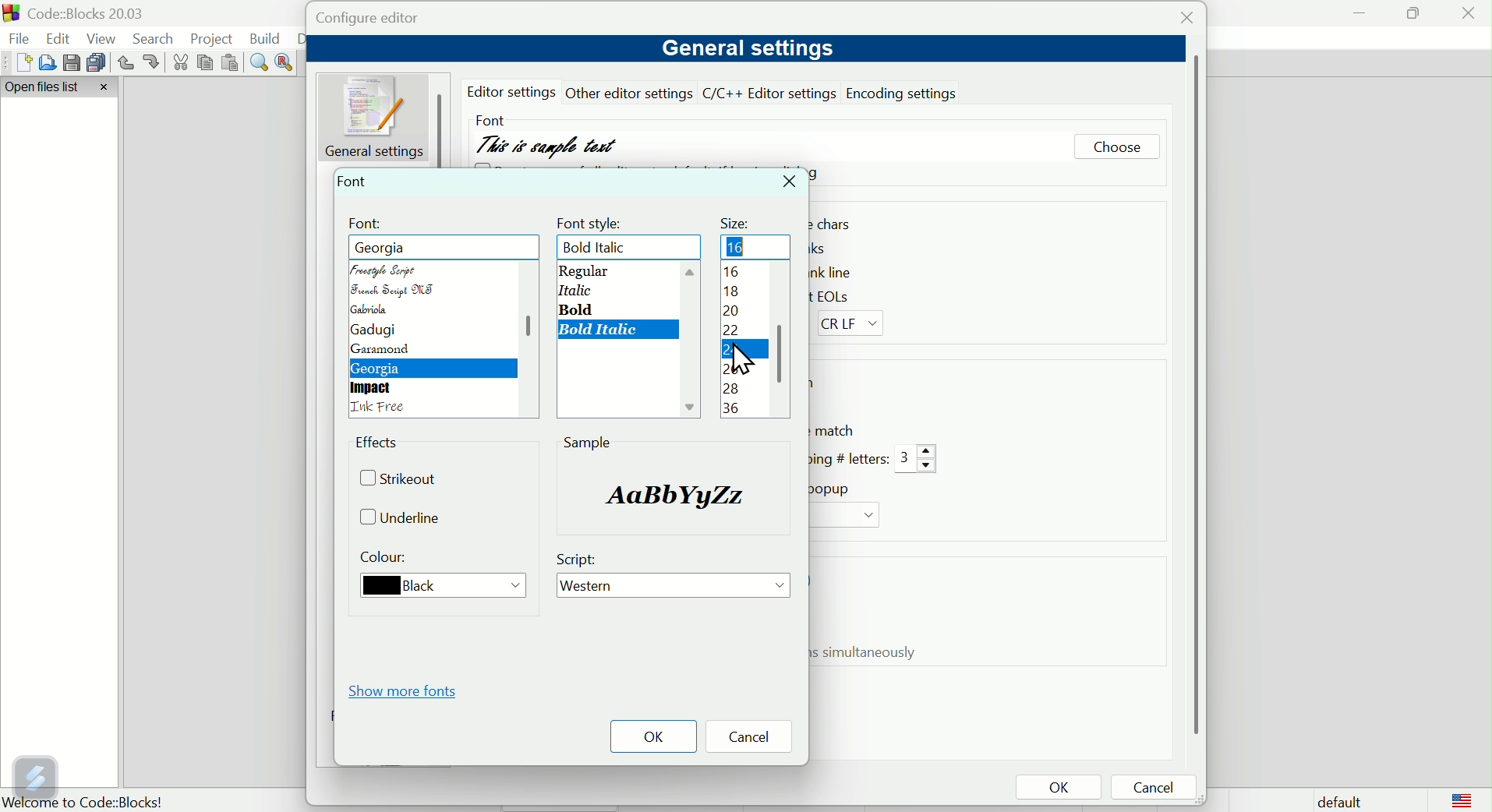  I want to click on Font, so click(355, 180).